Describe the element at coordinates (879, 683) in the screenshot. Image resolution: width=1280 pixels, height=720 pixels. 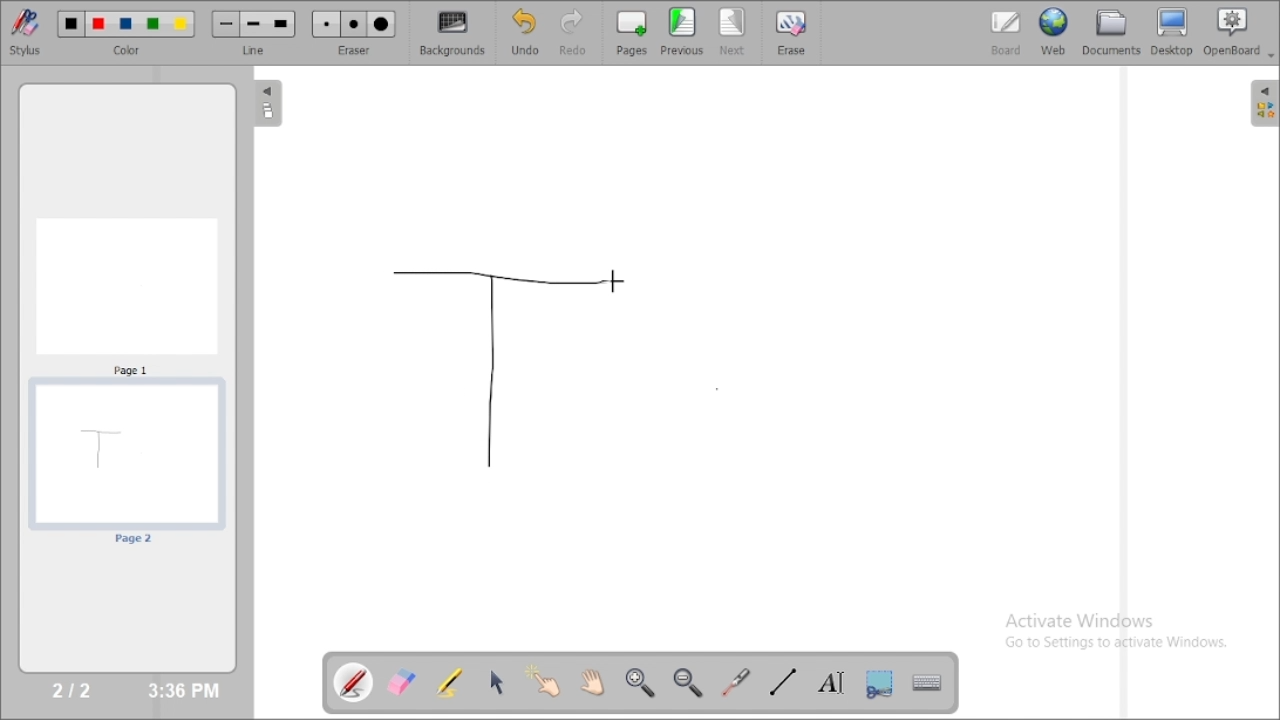
I see `capture part of the screen` at that location.